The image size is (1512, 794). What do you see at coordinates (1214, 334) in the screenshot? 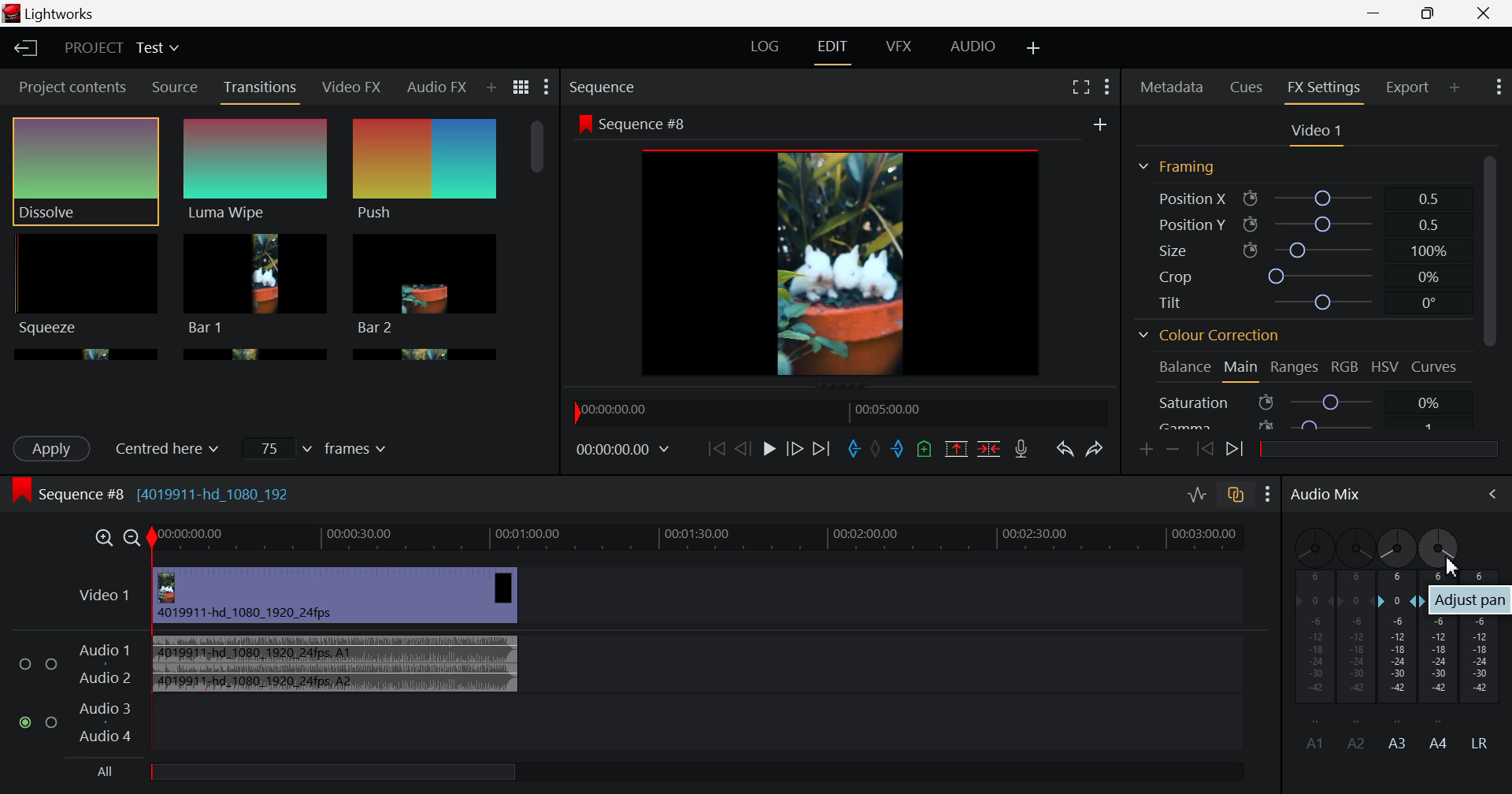
I see `Colour Correction` at bounding box center [1214, 334].